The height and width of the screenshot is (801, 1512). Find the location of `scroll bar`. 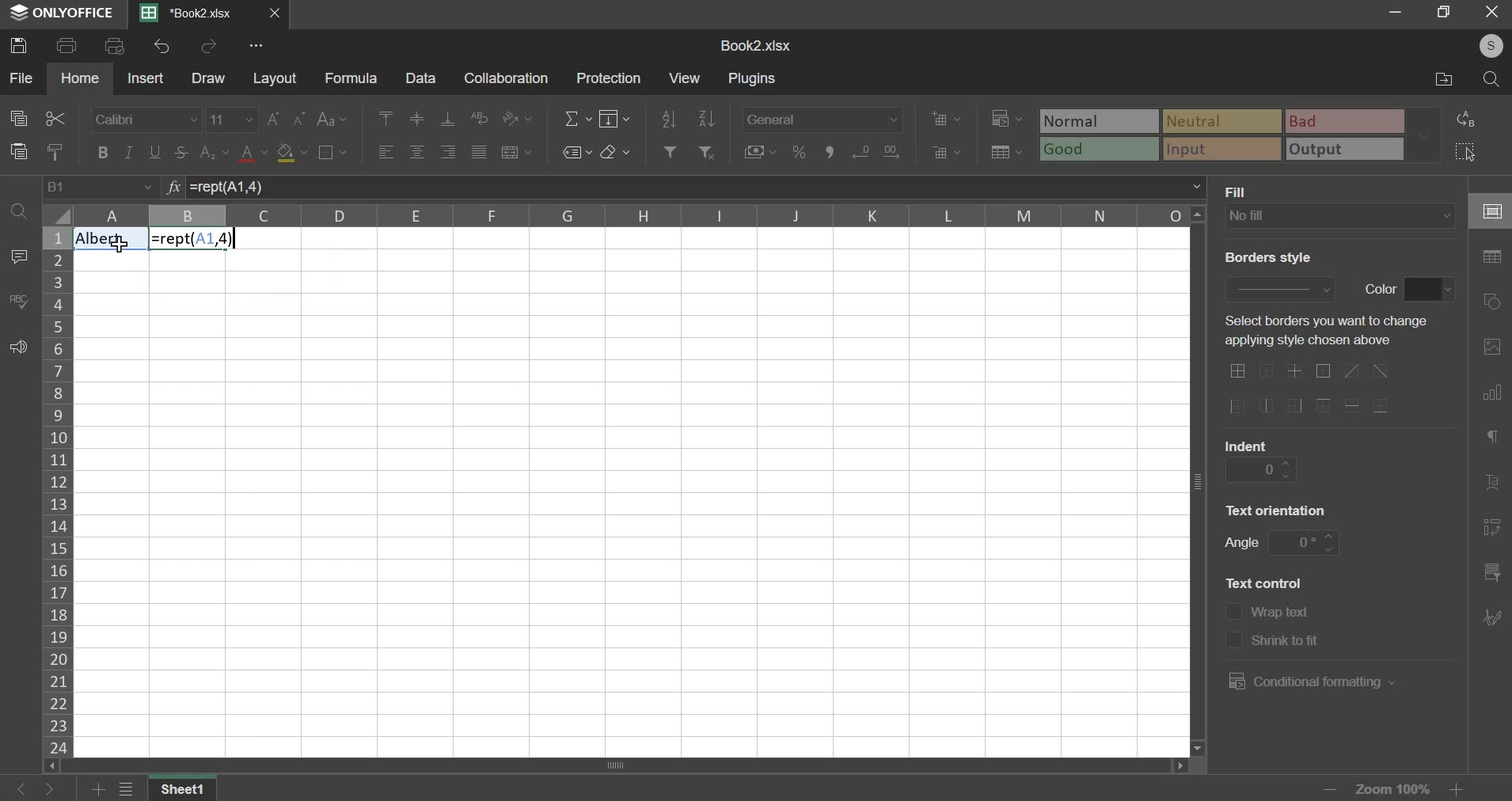

scroll bar is located at coordinates (620, 767).